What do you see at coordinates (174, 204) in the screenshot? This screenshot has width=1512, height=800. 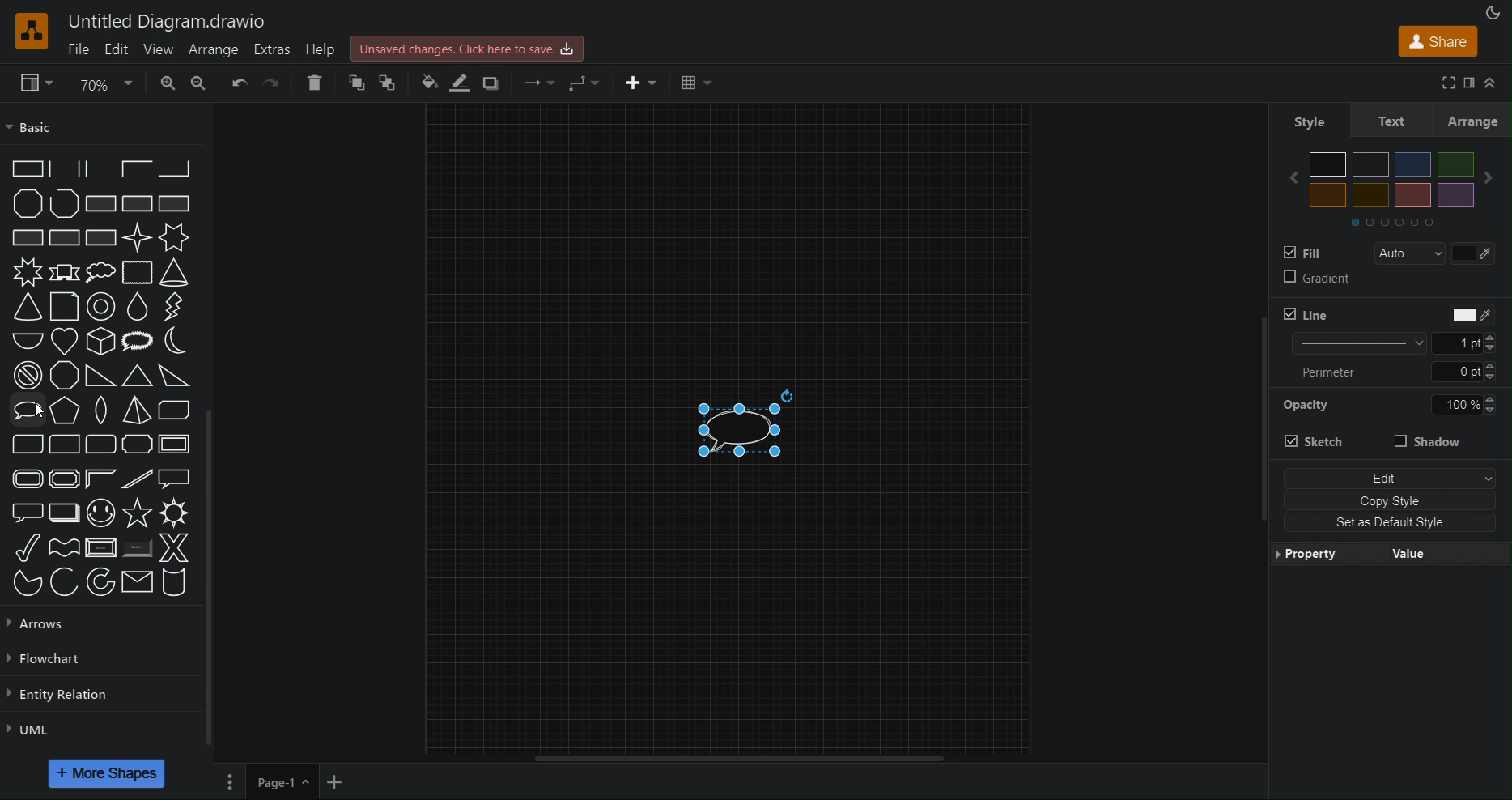 I see `Rectangle with Vertical Fill` at bounding box center [174, 204].